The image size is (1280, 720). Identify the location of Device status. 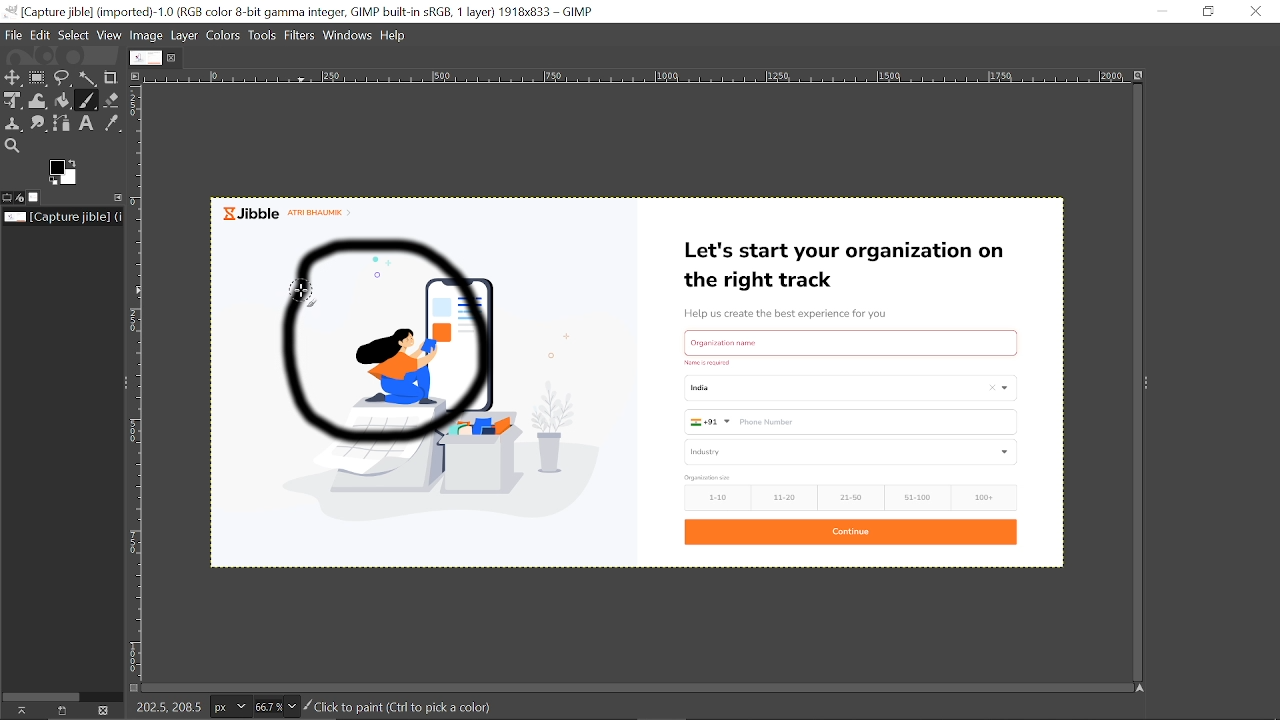
(22, 198).